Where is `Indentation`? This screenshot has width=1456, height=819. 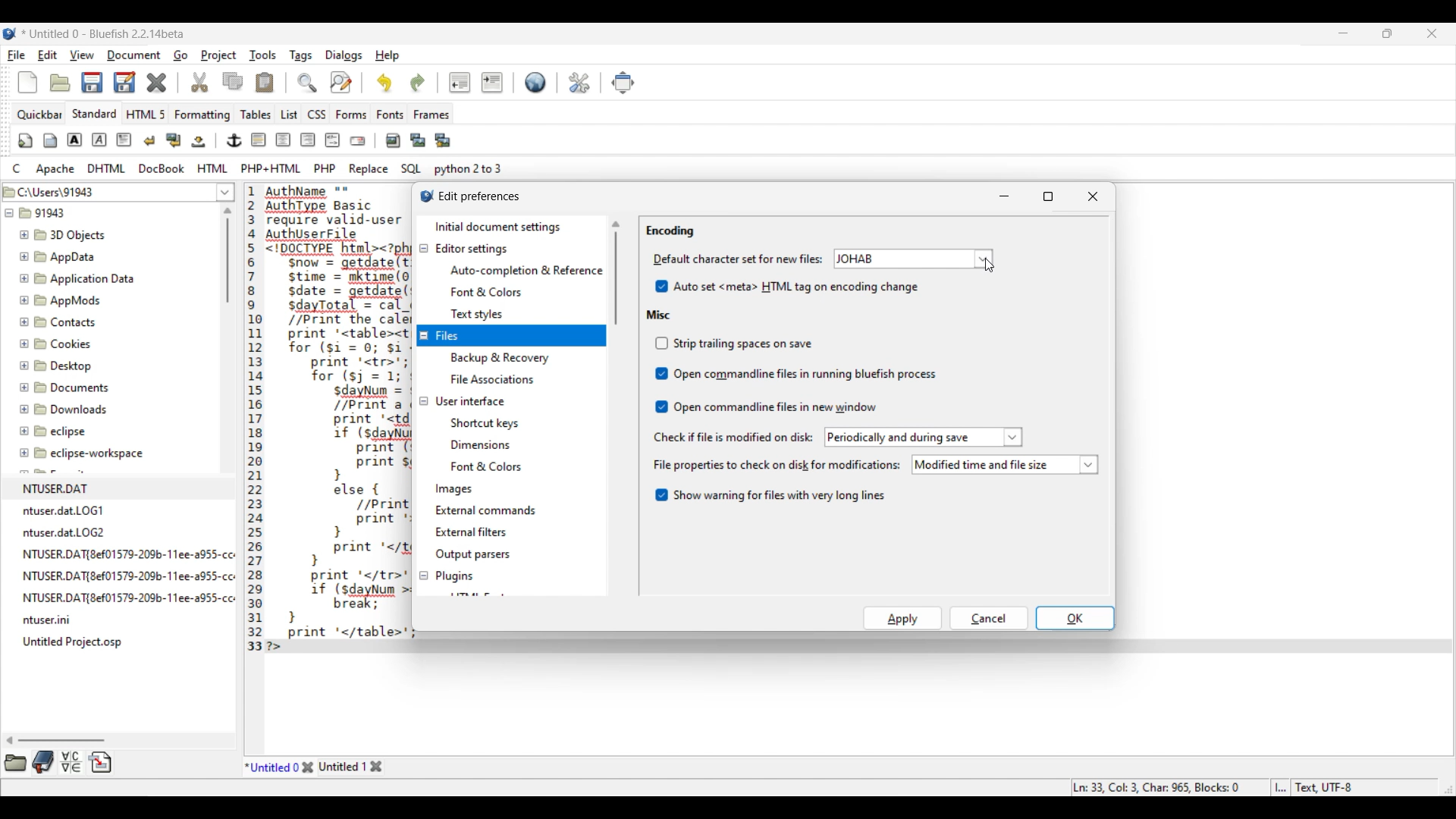 Indentation is located at coordinates (476, 82).